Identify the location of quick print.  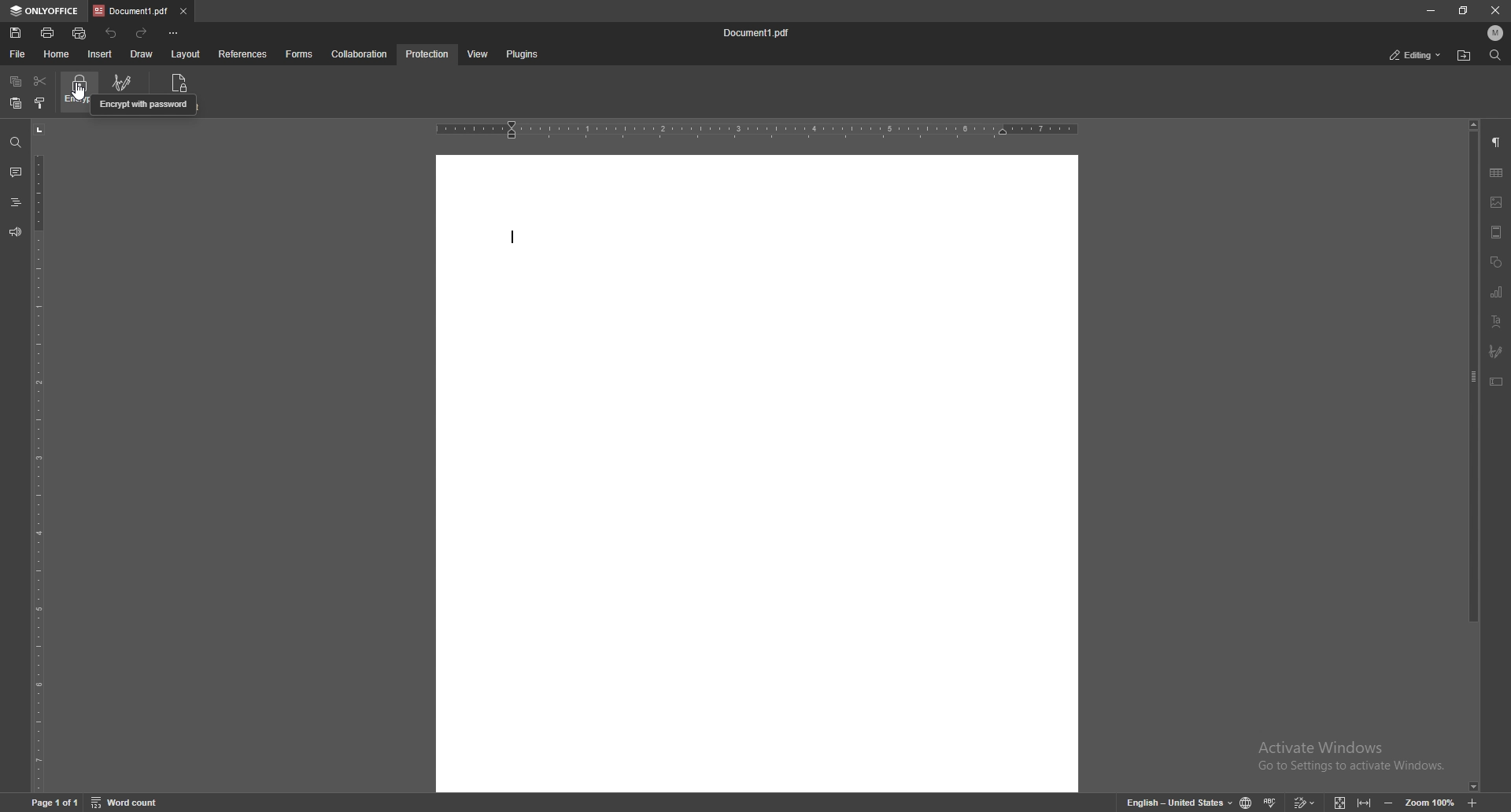
(81, 33).